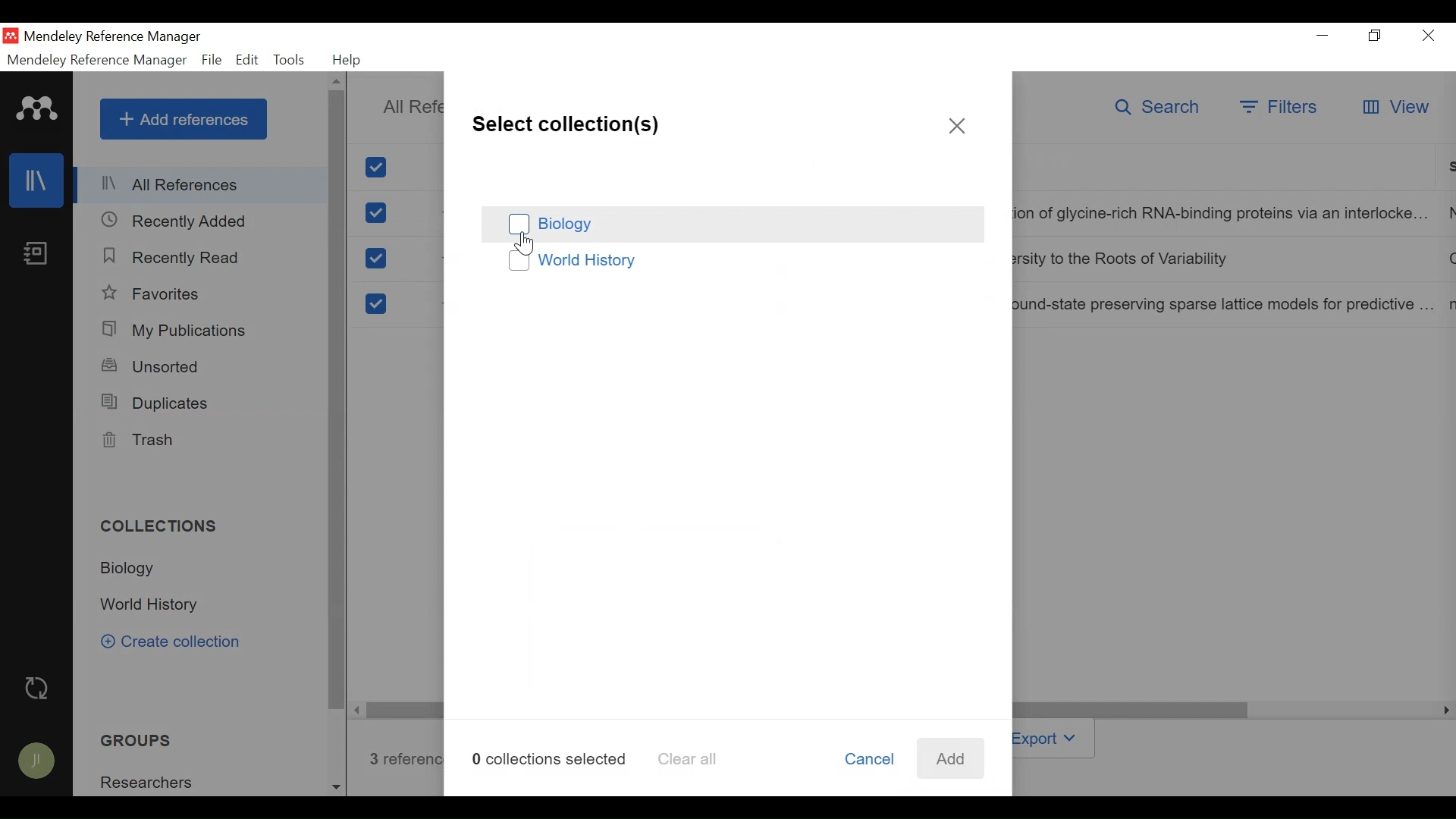 The width and height of the screenshot is (1456, 819). Describe the element at coordinates (1227, 304) in the screenshot. I see `Journal Title` at that location.